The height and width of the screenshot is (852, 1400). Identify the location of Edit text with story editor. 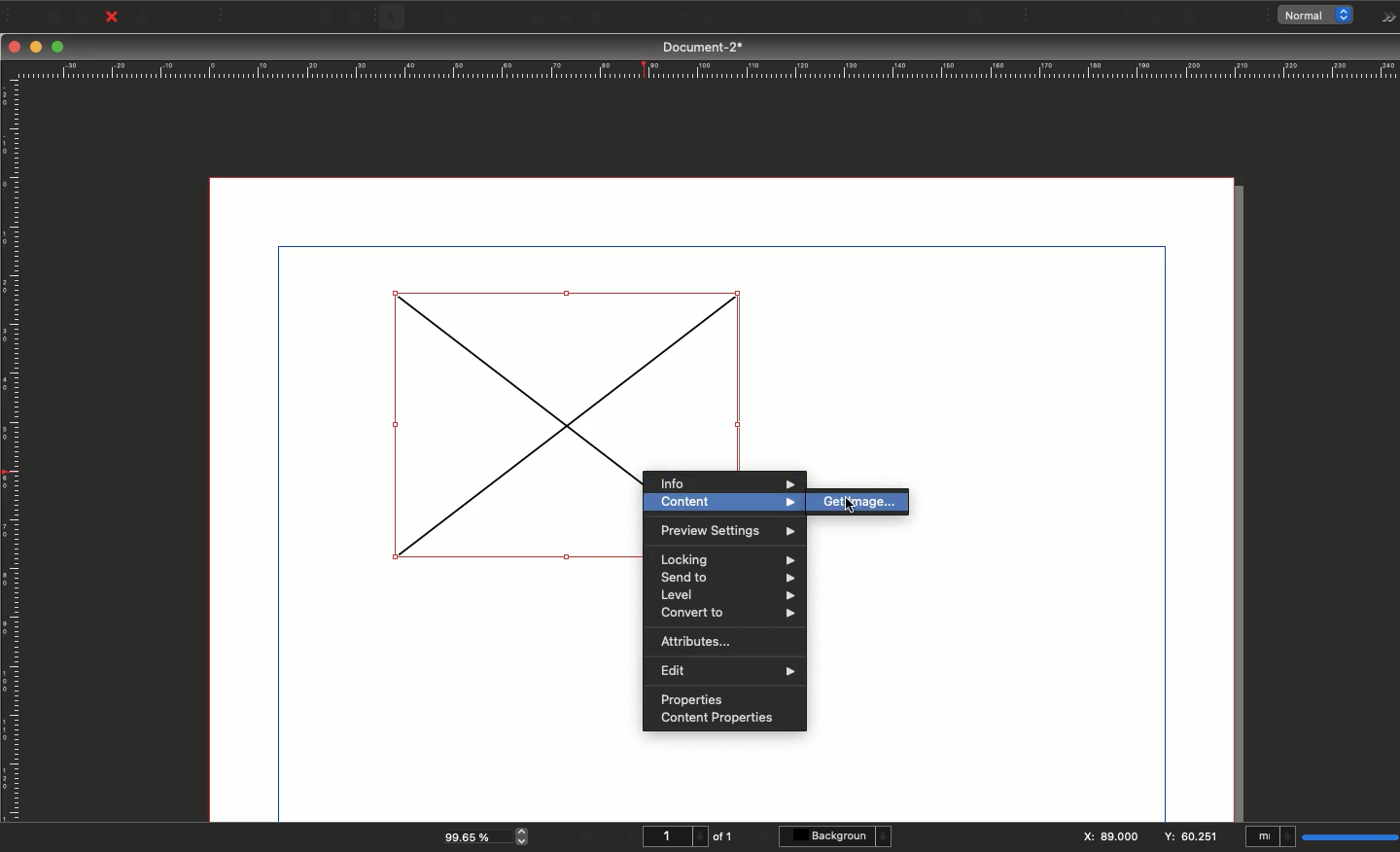
(841, 18).